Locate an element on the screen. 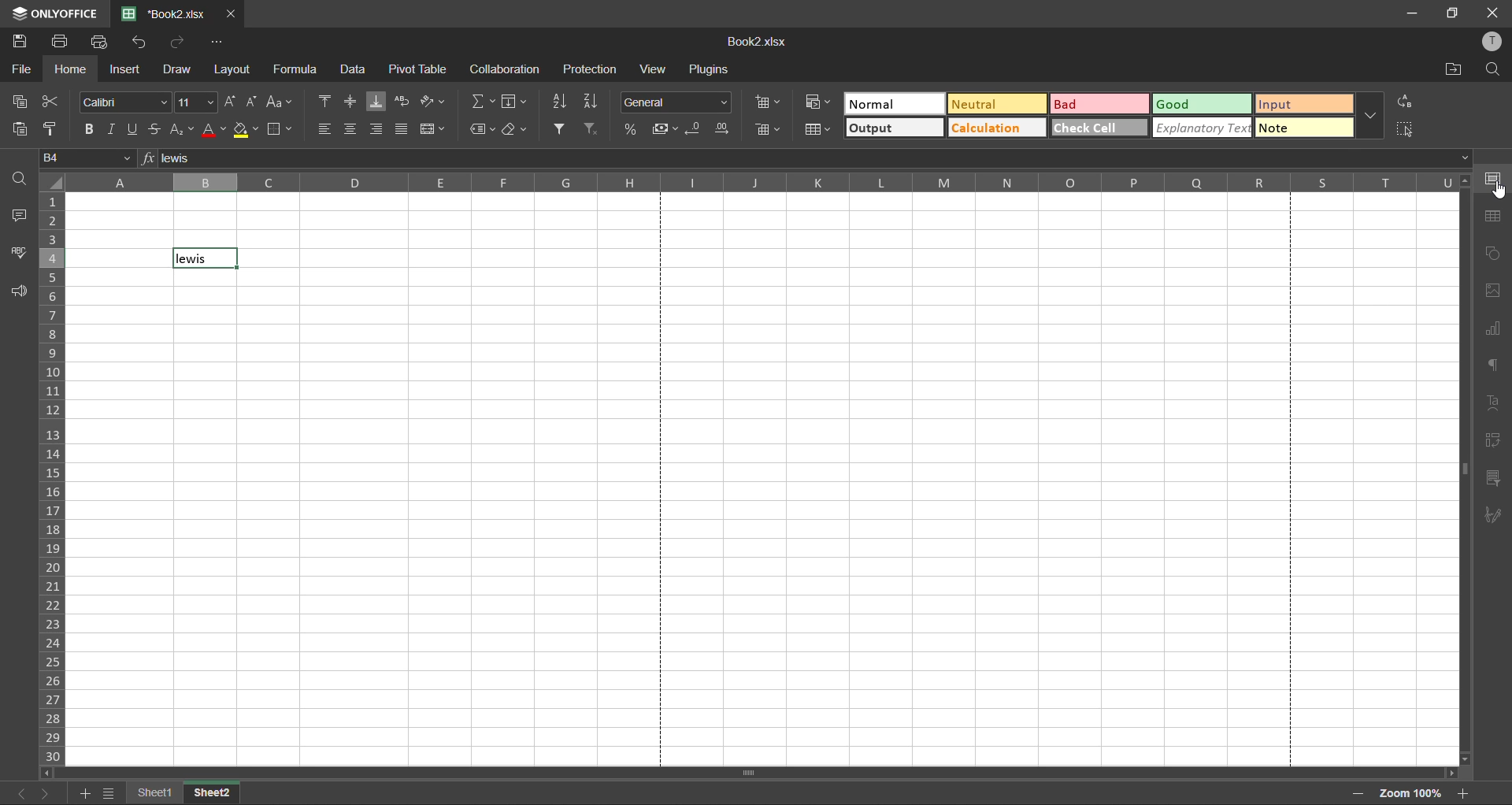 The width and height of the screenshot is (1512, 805). conditional formatting is located at coordinates (818, 103).